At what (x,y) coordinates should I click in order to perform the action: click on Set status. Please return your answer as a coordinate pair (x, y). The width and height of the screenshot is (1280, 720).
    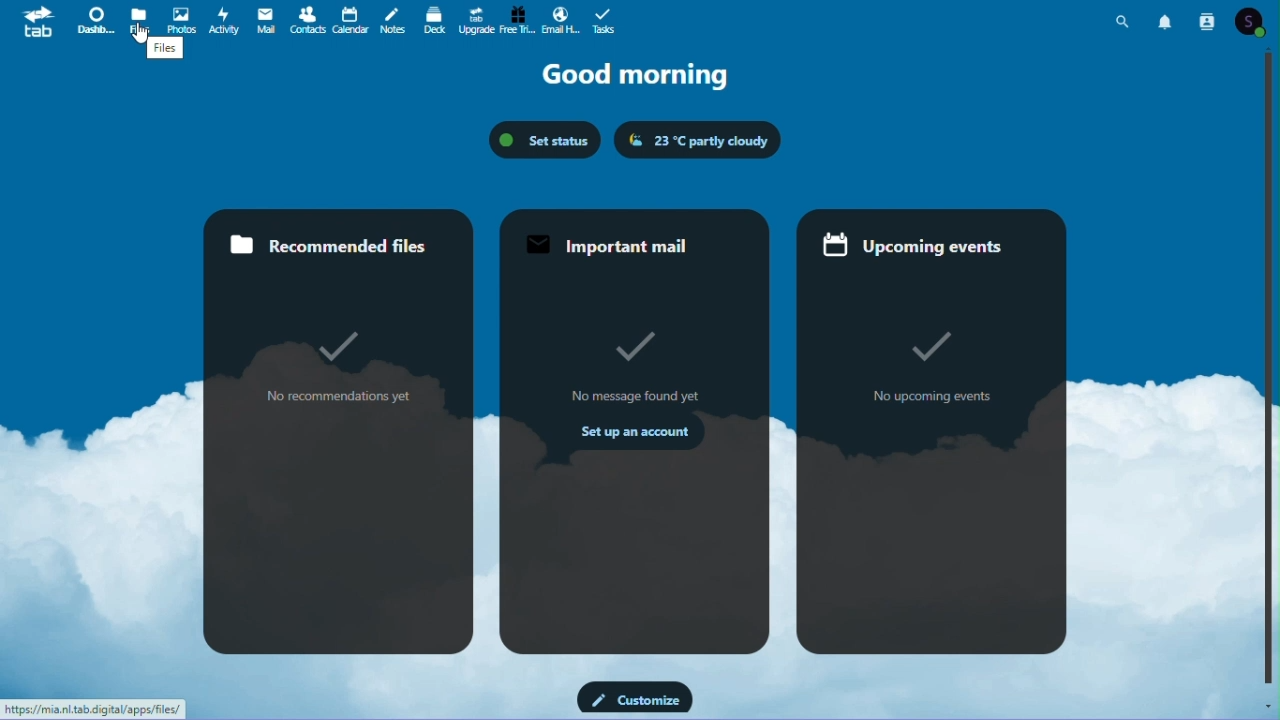
    Looking at the image, I should click on (543, 139).